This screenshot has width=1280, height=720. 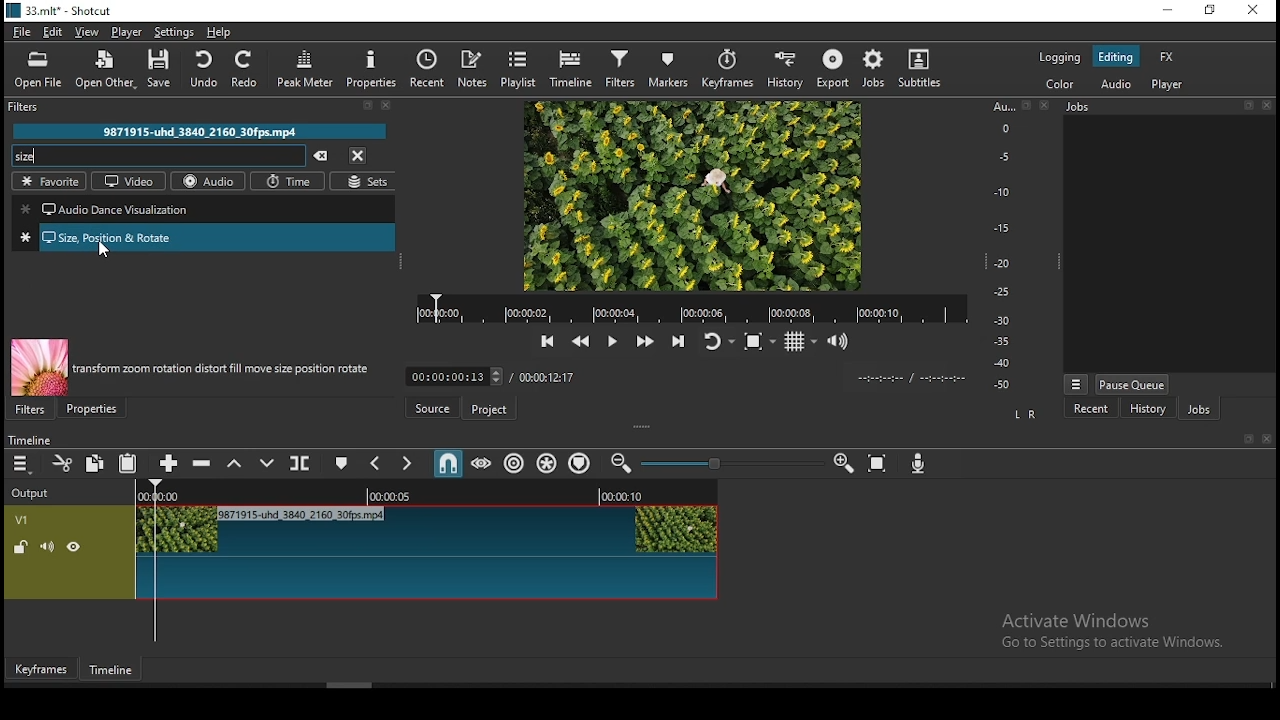 I want to click on video track, so click(x=367, y=553).